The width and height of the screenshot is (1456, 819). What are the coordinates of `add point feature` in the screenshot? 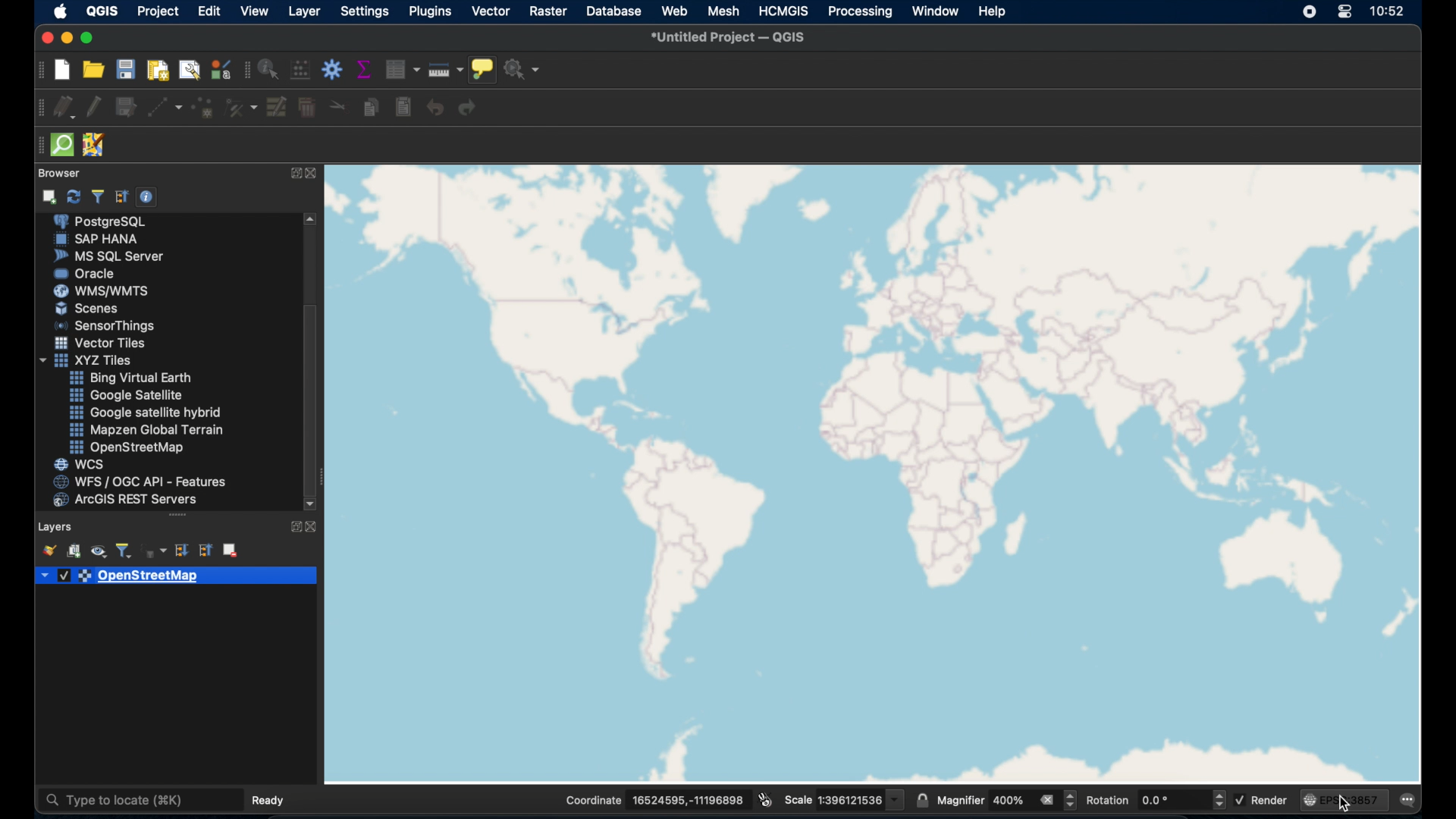 It's located at (204, 108).